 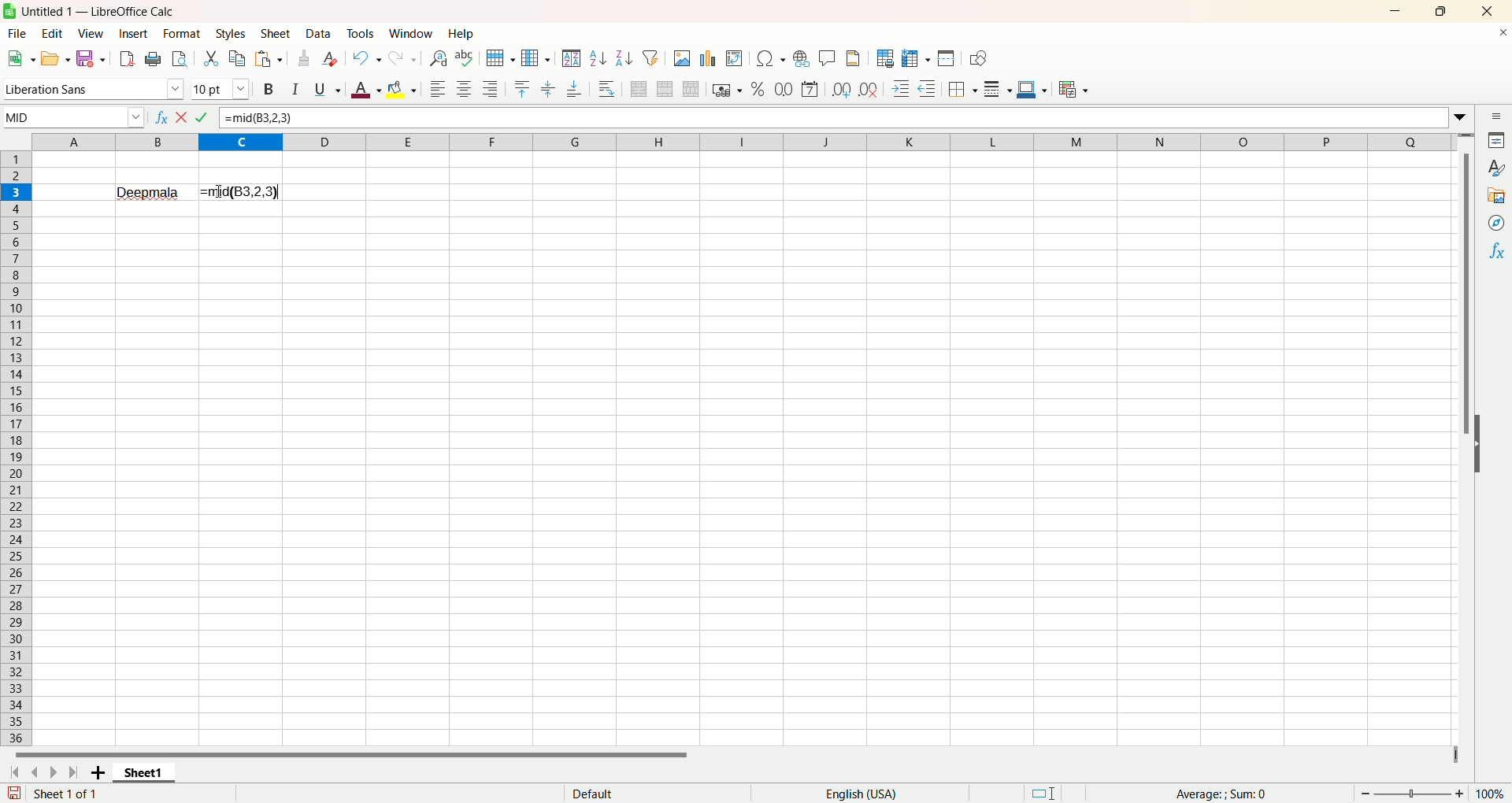 I want to click on Border style, so click(x=997, y=90).